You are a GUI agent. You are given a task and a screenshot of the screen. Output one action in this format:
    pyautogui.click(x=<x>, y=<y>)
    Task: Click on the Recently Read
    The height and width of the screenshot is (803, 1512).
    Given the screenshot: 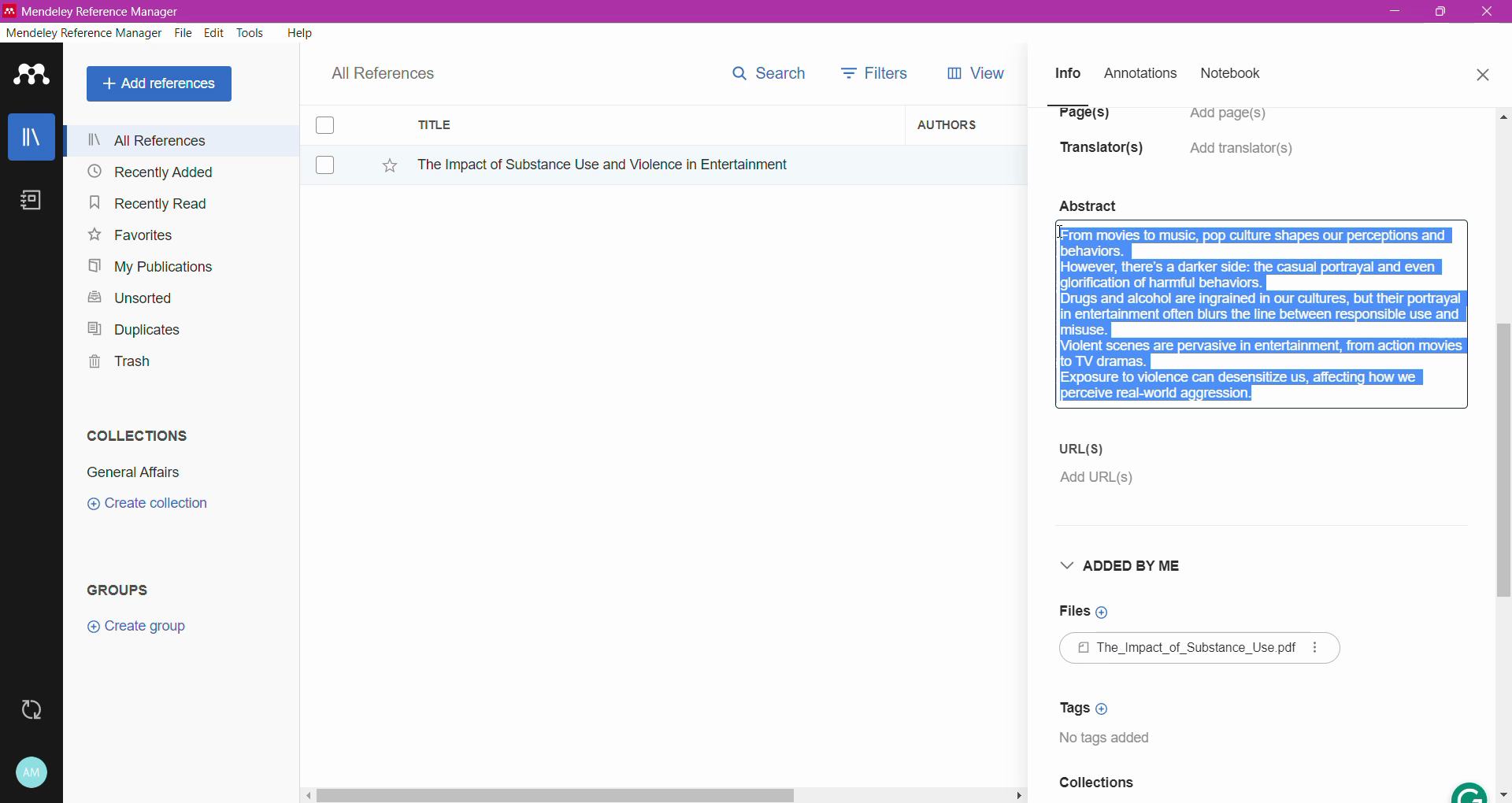 What is the action you would take?
    pyautogui.click(x=148, y=202)
    